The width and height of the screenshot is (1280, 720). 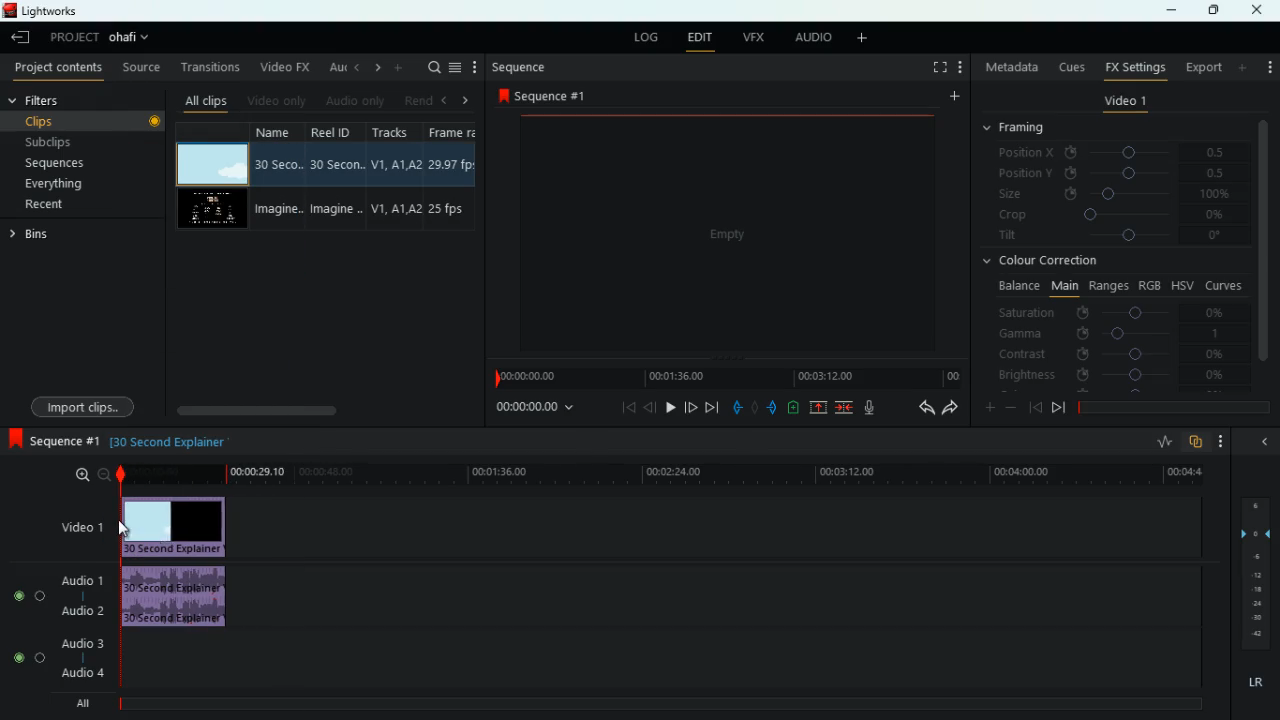 What do you see at coordinates (28, 658) in the screenshot?
I see `Audio` at bounding box center [28, 658].